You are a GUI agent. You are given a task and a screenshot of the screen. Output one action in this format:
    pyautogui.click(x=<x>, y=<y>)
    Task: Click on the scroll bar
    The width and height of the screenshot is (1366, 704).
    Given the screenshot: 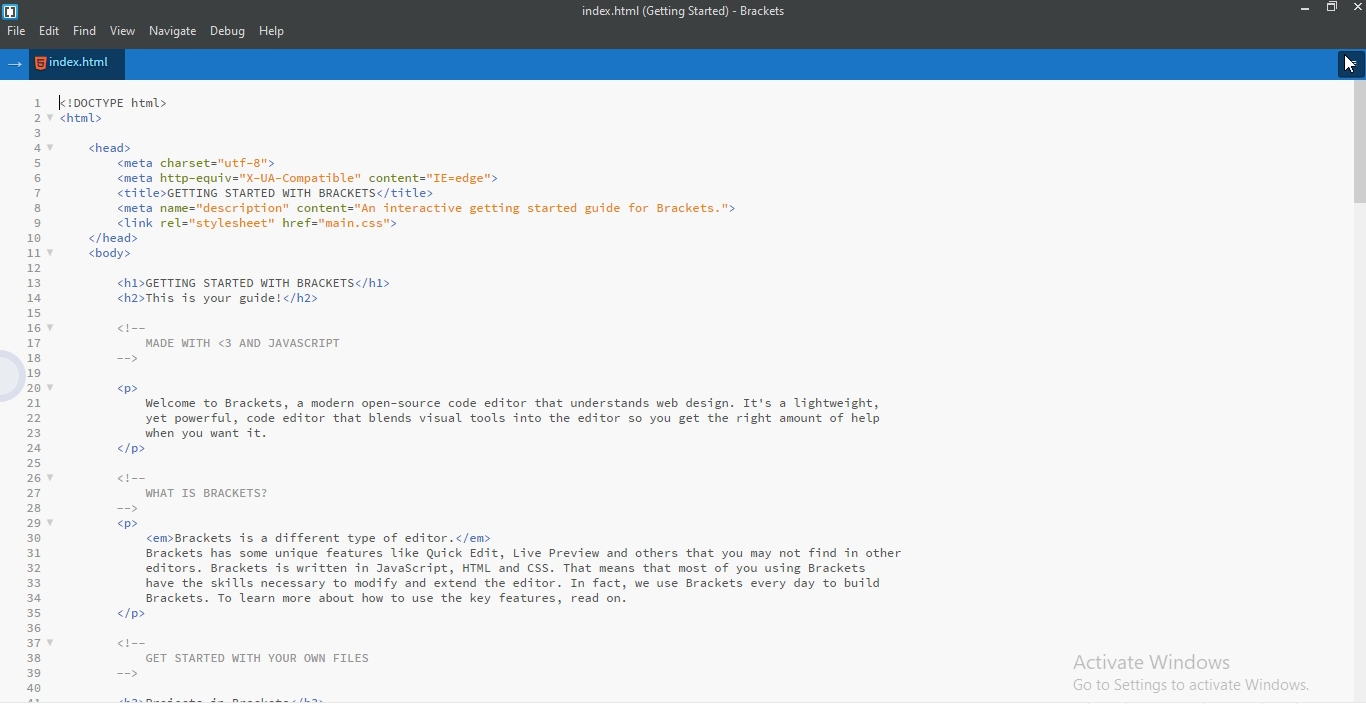 What is the action you would take?
    pyautogui.click(x=1357, y=147)
    